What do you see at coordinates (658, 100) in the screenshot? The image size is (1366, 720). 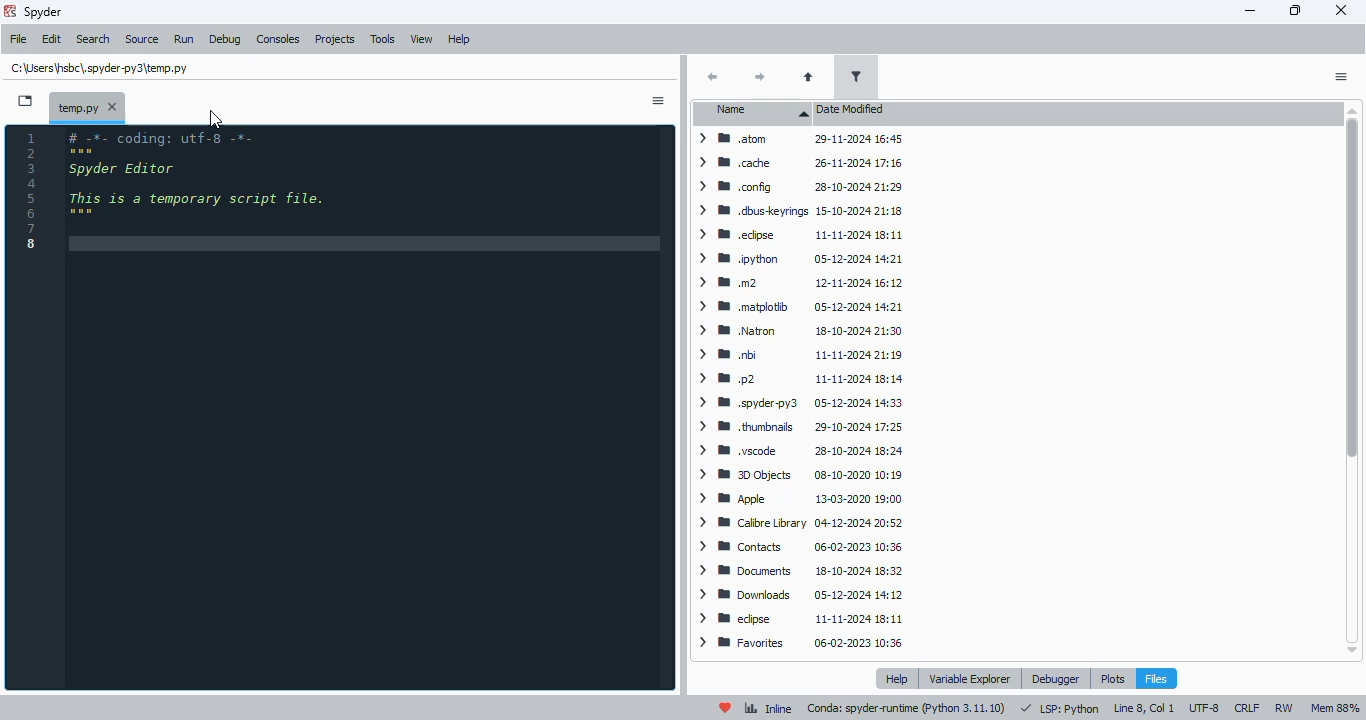 I see `options` at bounding box center [658, 100].